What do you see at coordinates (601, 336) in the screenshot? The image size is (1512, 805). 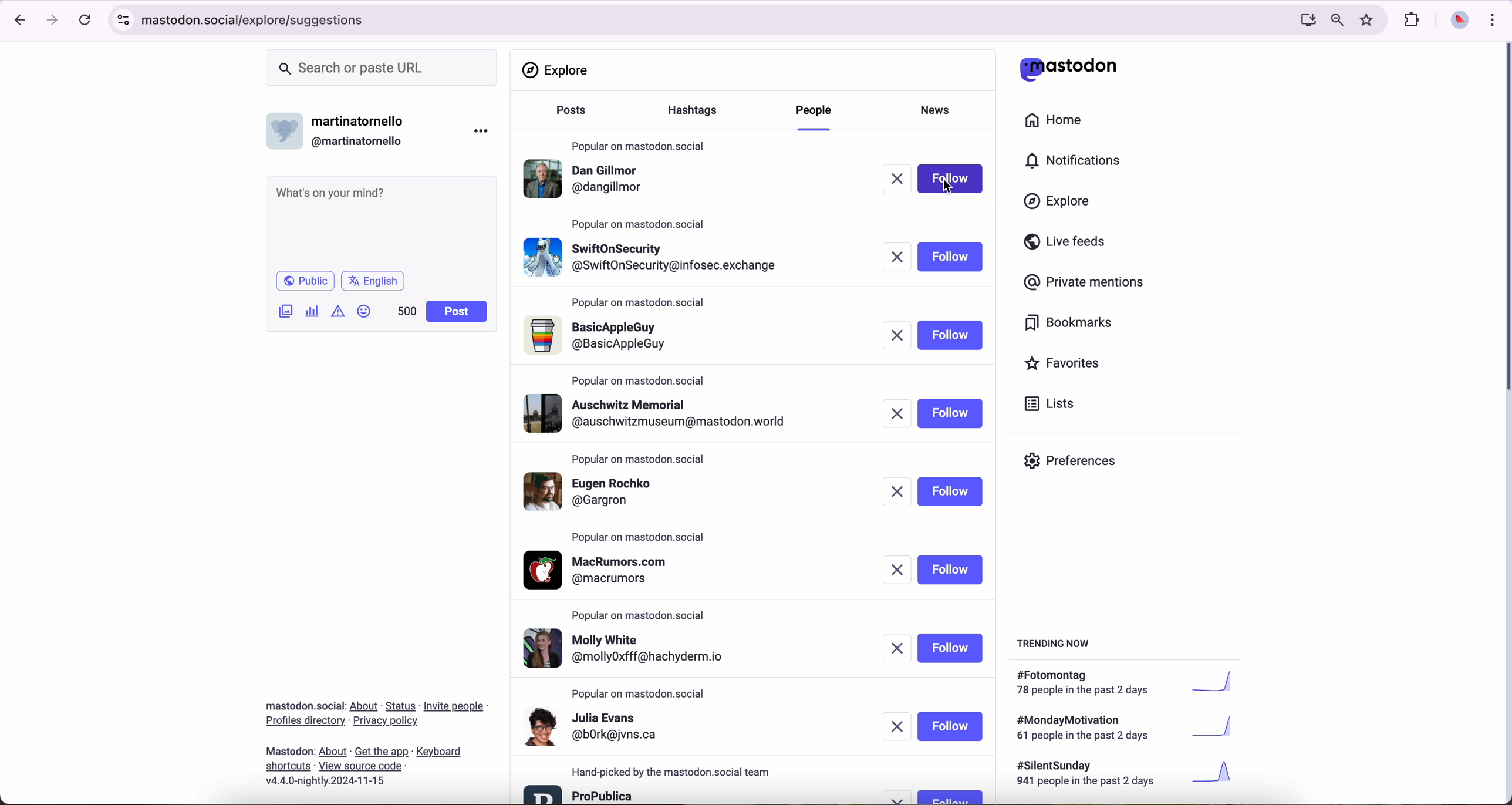 I see `profile` at bounding box center [601, 336].